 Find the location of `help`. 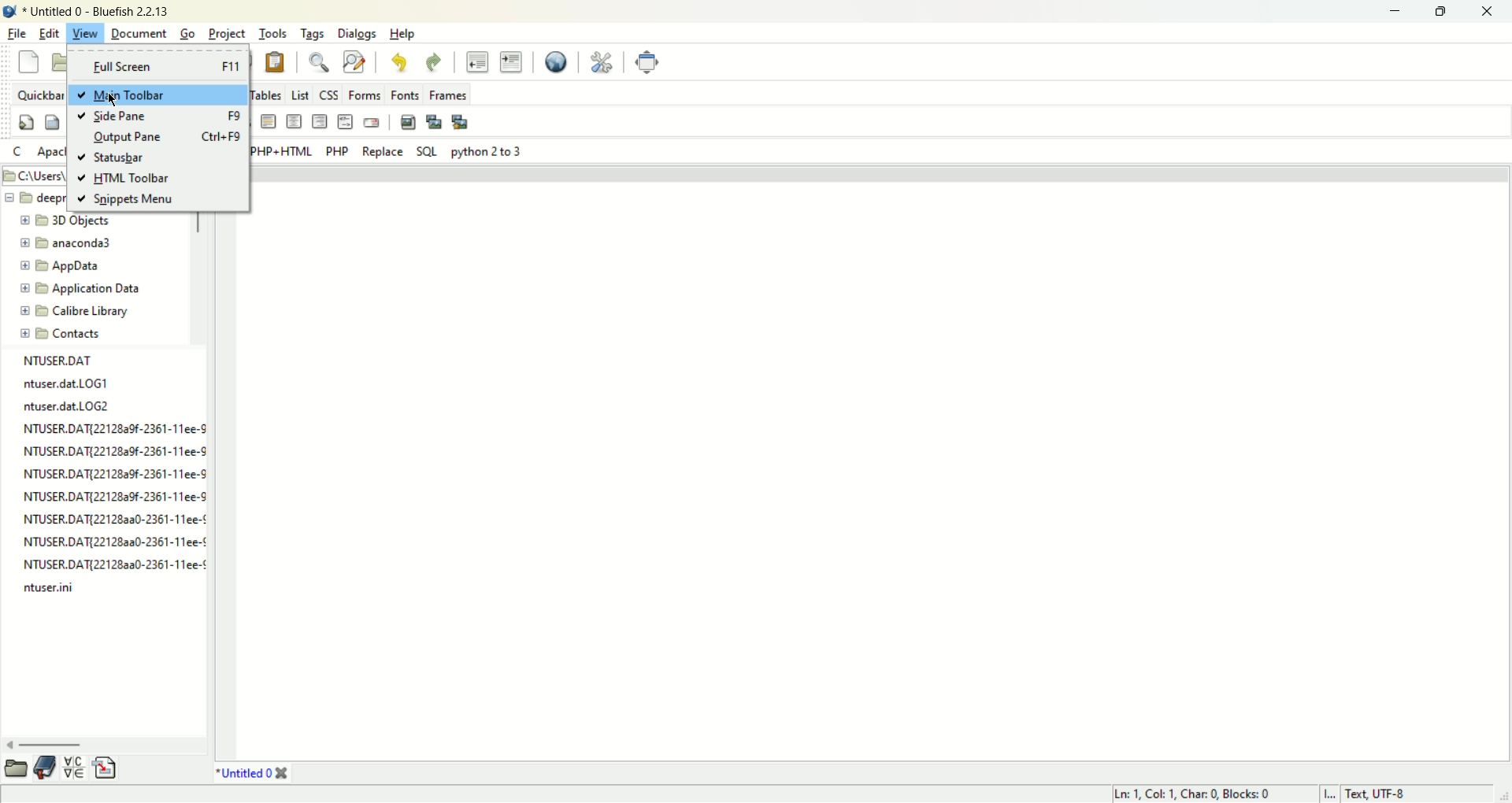

help is located at coordinates (402, 34).